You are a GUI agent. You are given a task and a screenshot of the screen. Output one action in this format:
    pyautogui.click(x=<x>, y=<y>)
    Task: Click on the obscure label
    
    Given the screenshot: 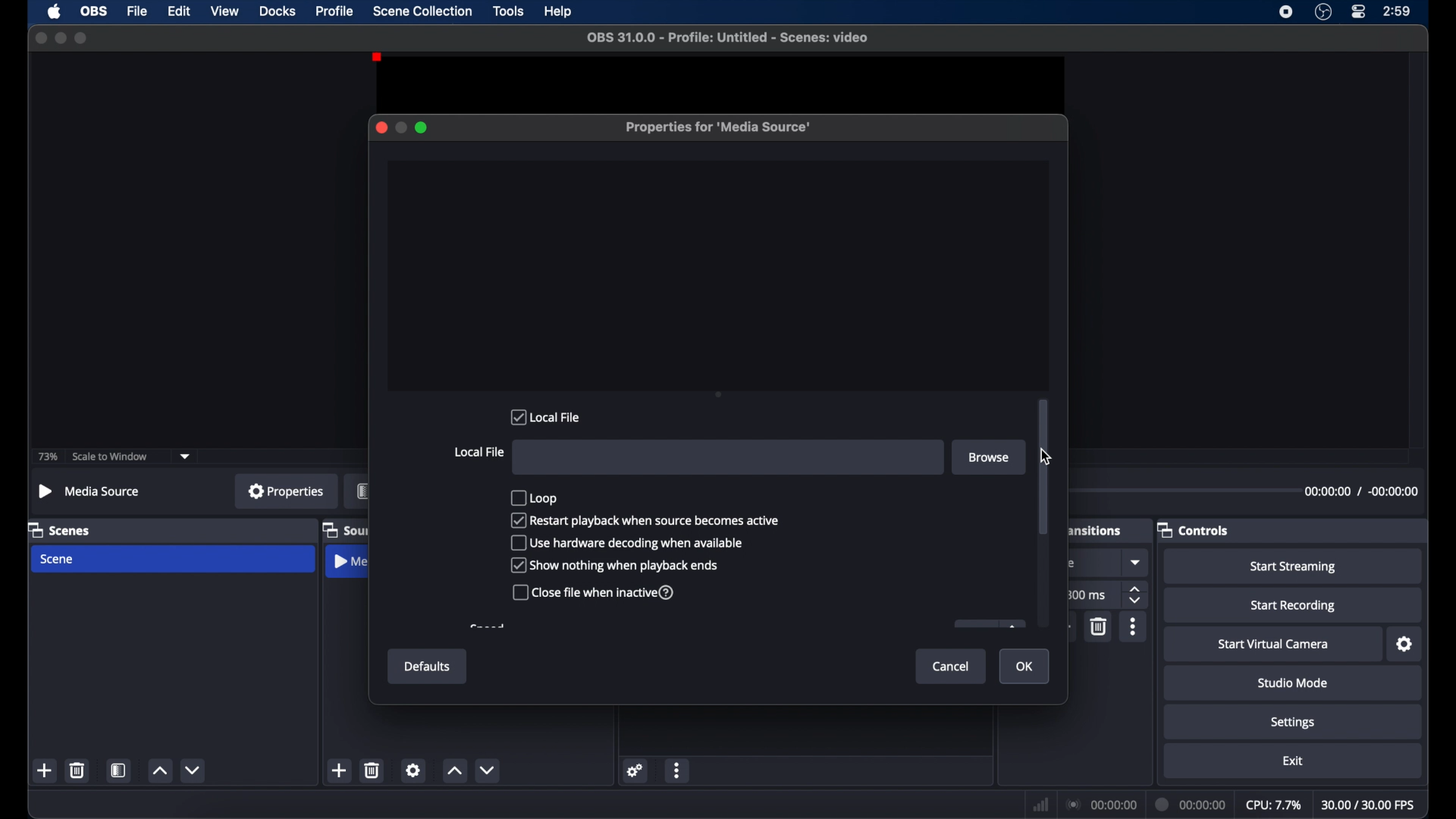 What is the action you would take?
    pyautogui.click(x=362, y=491)
    